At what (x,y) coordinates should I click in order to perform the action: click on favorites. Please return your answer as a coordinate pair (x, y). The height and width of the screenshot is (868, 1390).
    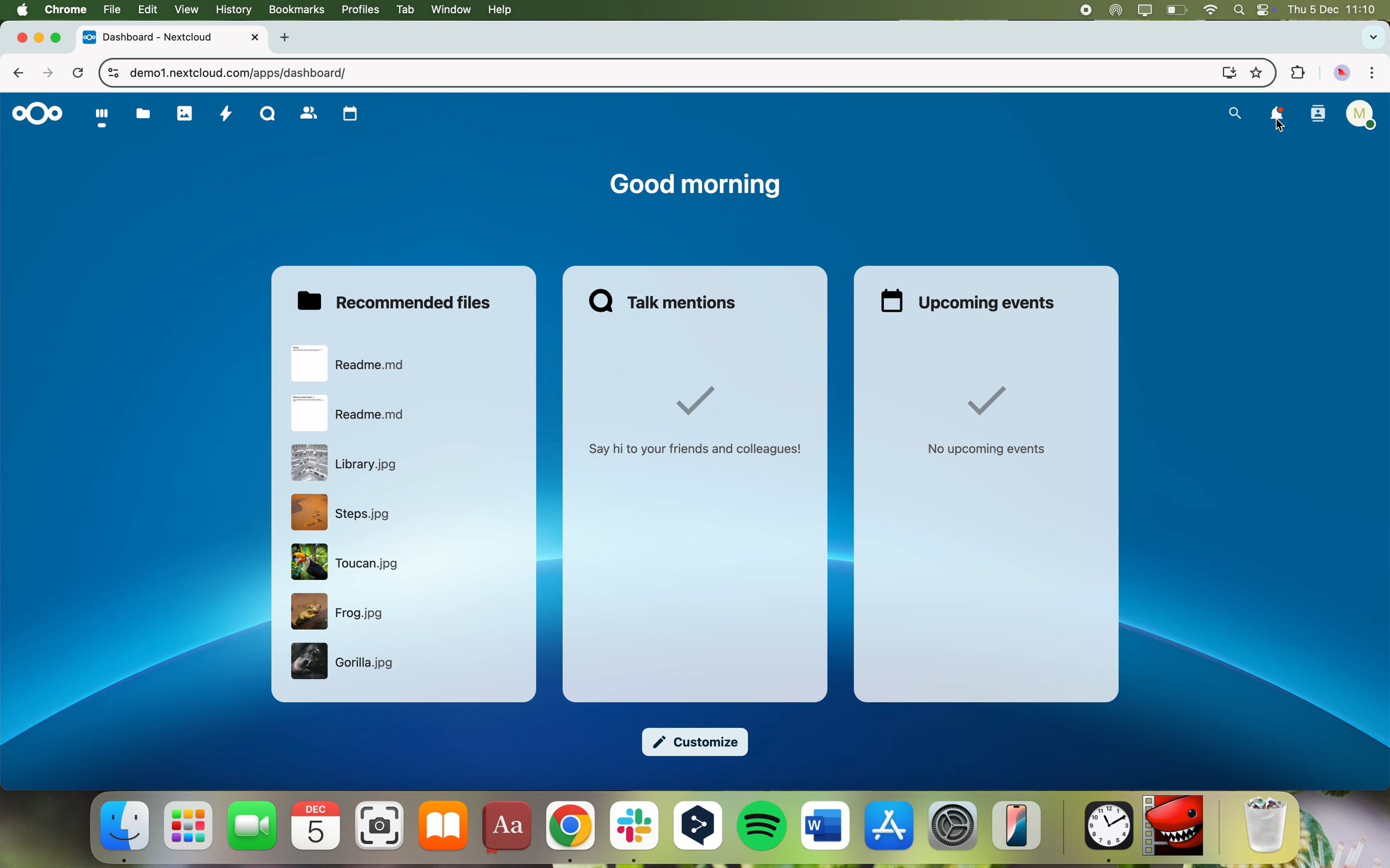
    Looking at the image, I should click on (1256, 71).